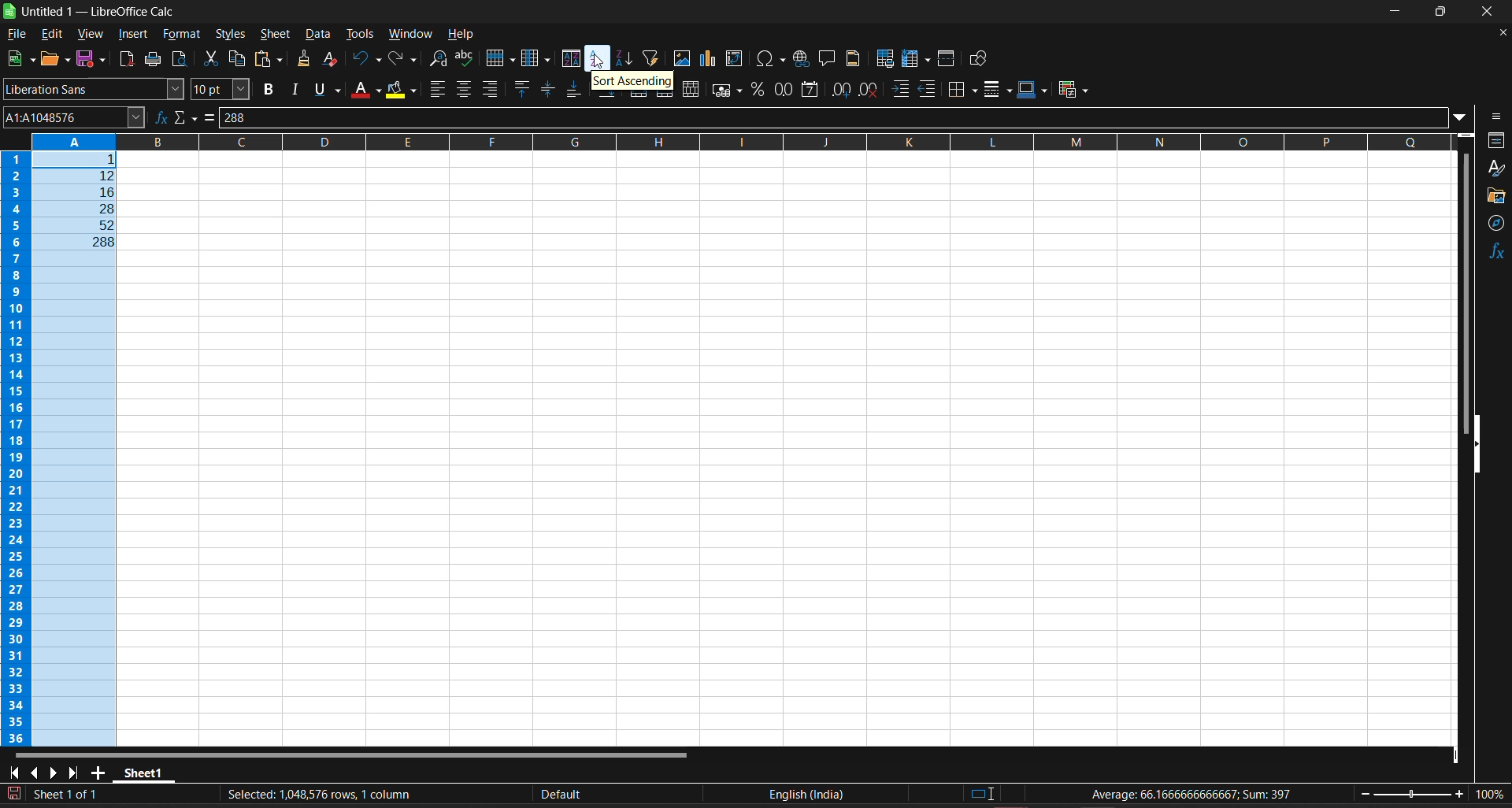 This screenshot has height=808, width=1512. Describe the element at coordinates (770, 58) in the screenshot. I see `insert special characters` at that location.